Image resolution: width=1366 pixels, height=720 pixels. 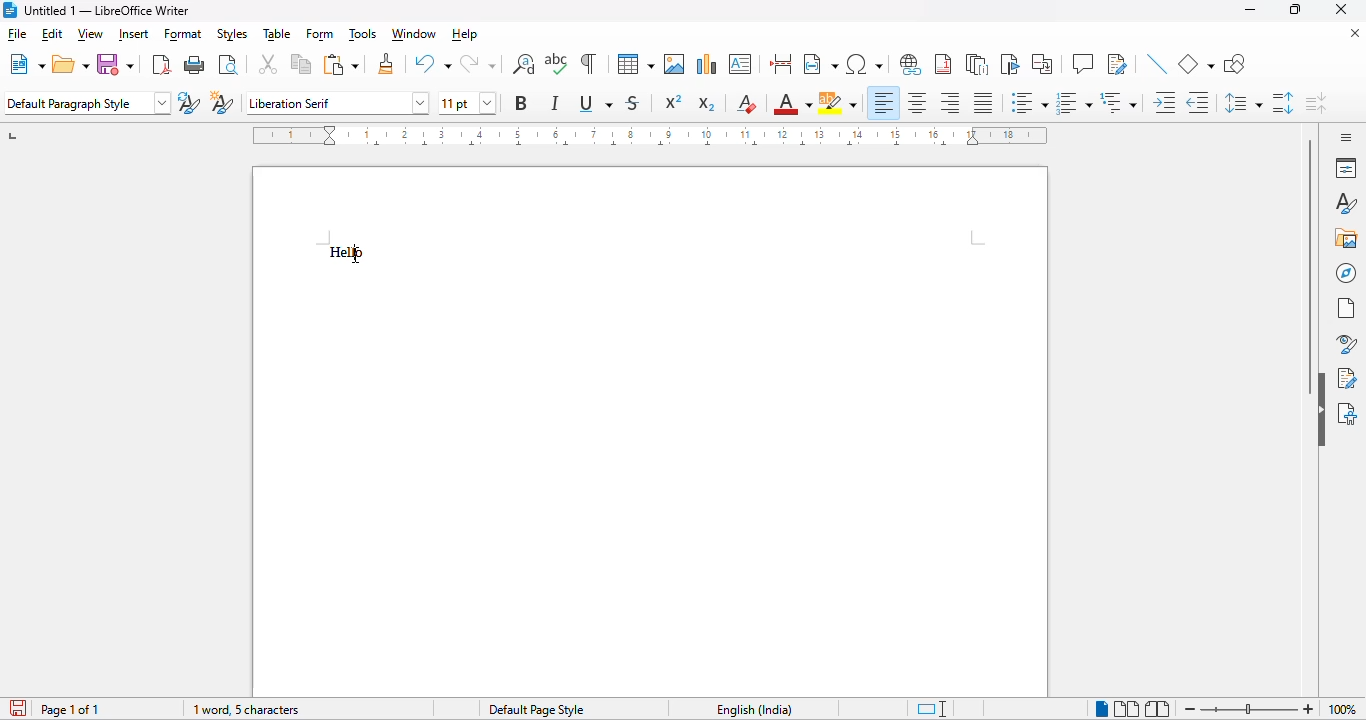 What do you see at coordinates (674, 64) in the screenshot?
I see `insert image` at bounding box center [674, 64].